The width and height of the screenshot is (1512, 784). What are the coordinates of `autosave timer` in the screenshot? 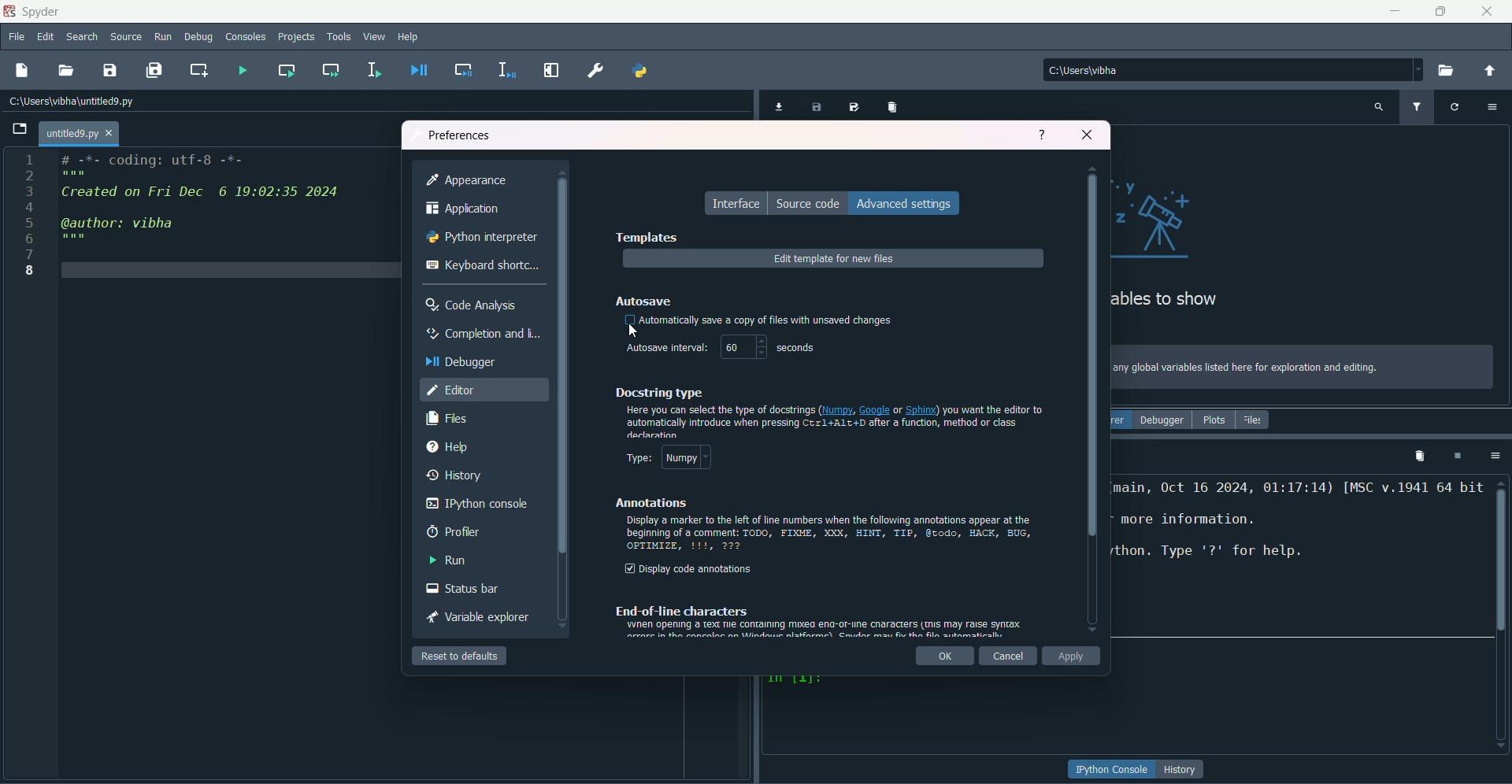 It's located at (721, 348).